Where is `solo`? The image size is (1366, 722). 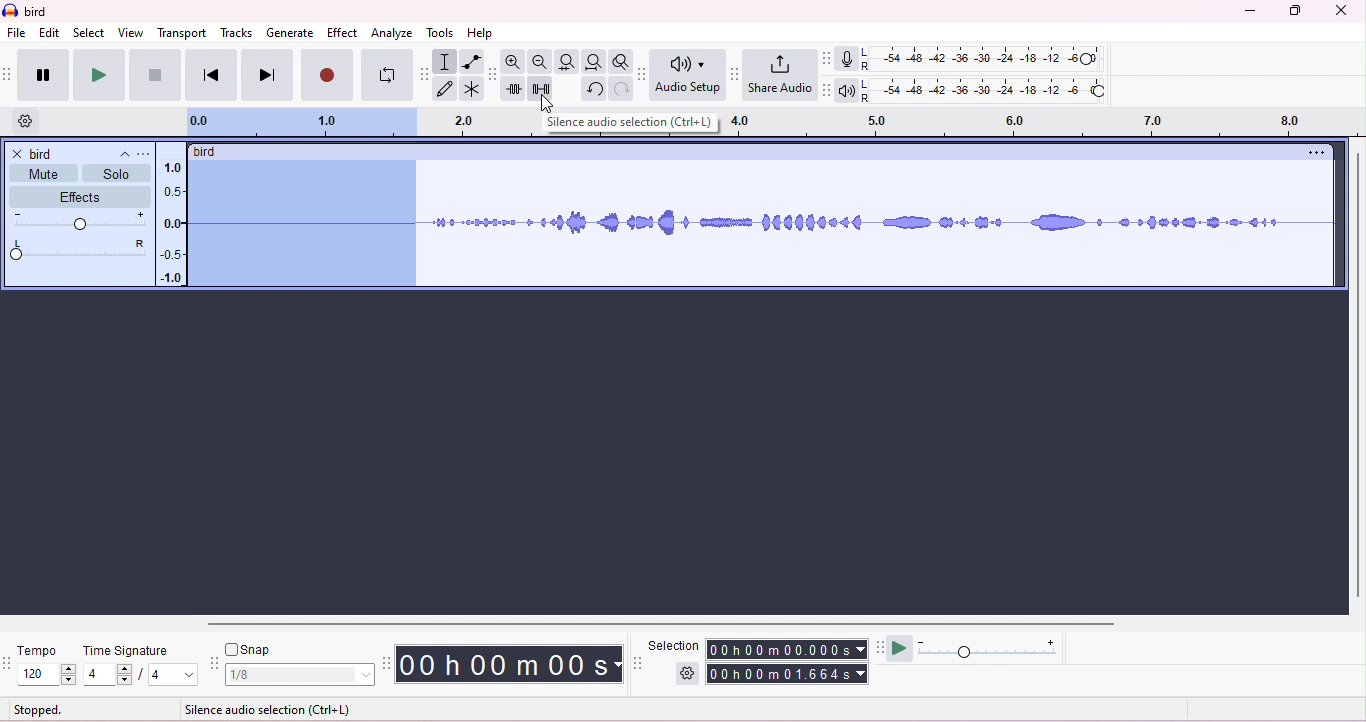
solo is located at coordinates (116, 174).